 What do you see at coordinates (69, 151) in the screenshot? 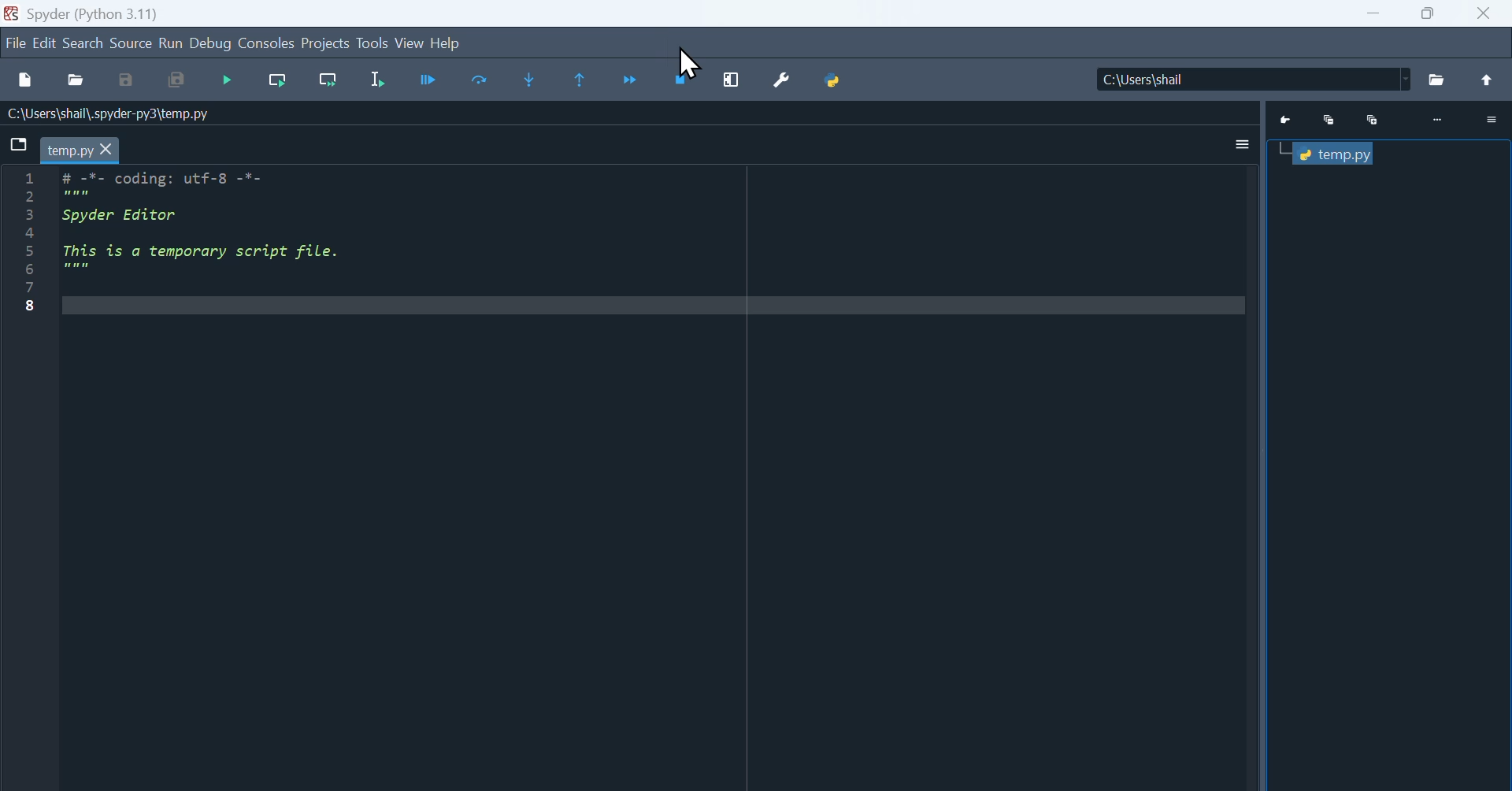
I see `temp.py` at bounding box center [69, 151].